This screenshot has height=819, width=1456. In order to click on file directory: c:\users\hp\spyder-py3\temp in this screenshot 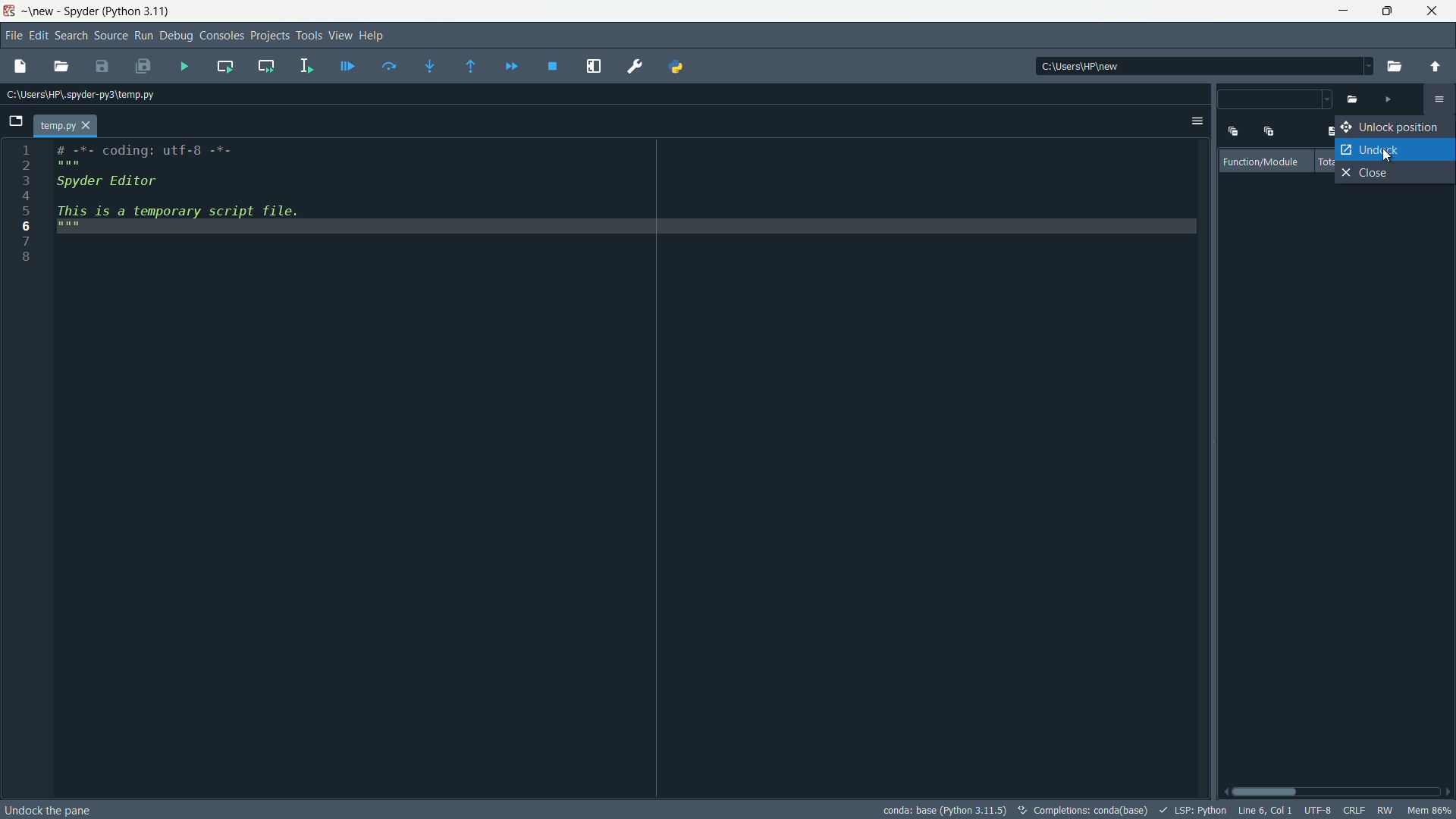, I will do `click(81, 96)`.